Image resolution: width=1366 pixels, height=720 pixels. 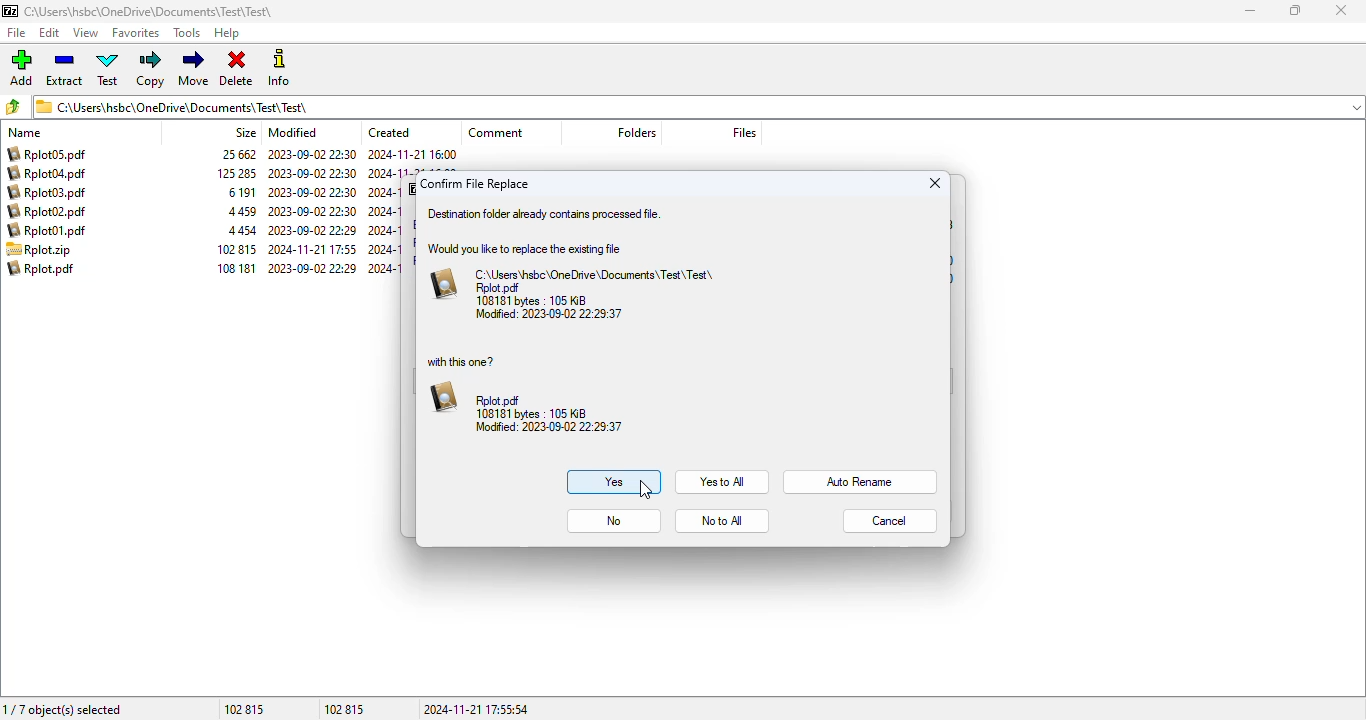 I want to click on name, so click(x=24, y=133).